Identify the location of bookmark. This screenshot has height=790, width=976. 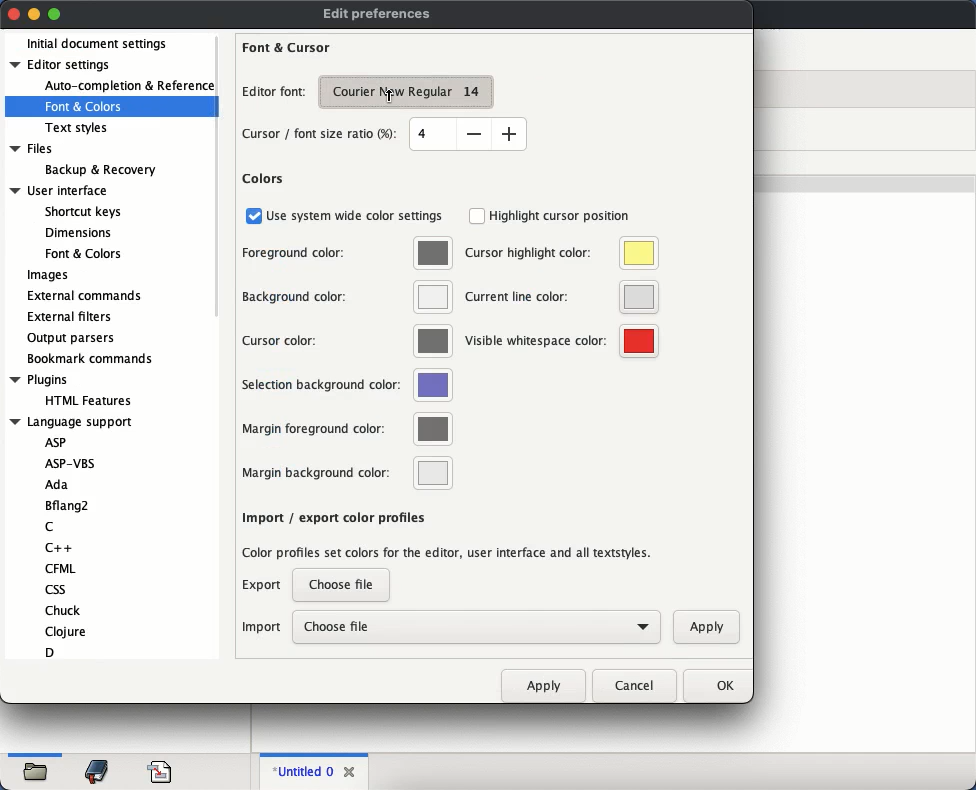
(98, 772).